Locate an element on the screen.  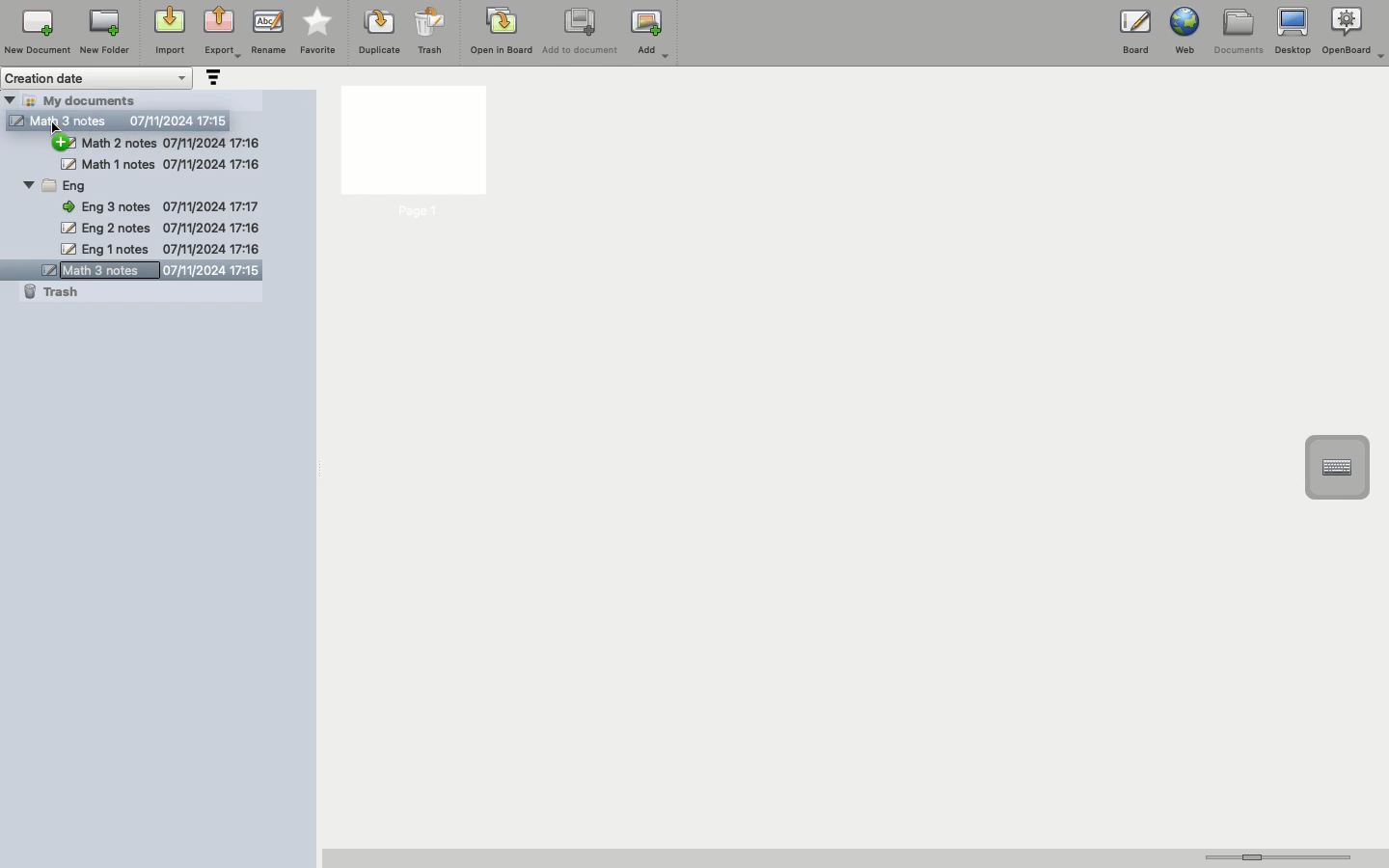
Trash is located at coordinates (51, 294).